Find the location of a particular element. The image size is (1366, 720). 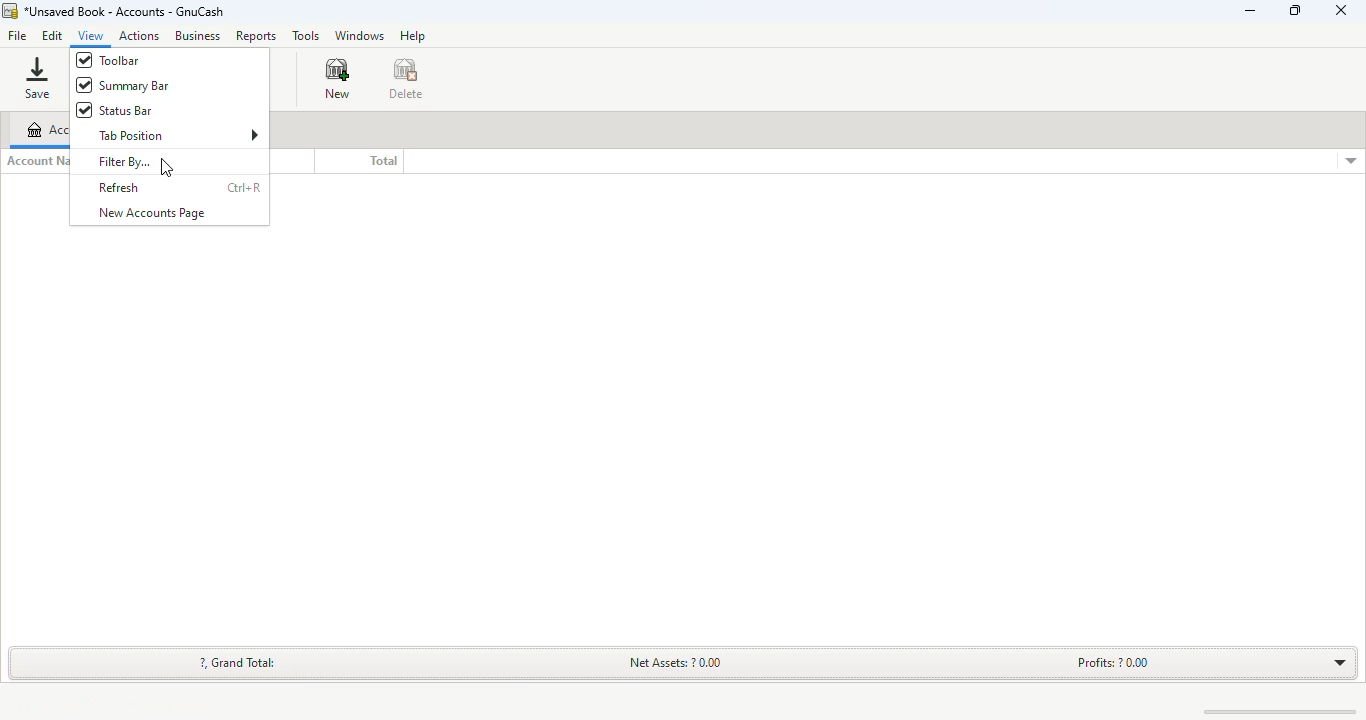

windows is located at coordinates (358, 36).